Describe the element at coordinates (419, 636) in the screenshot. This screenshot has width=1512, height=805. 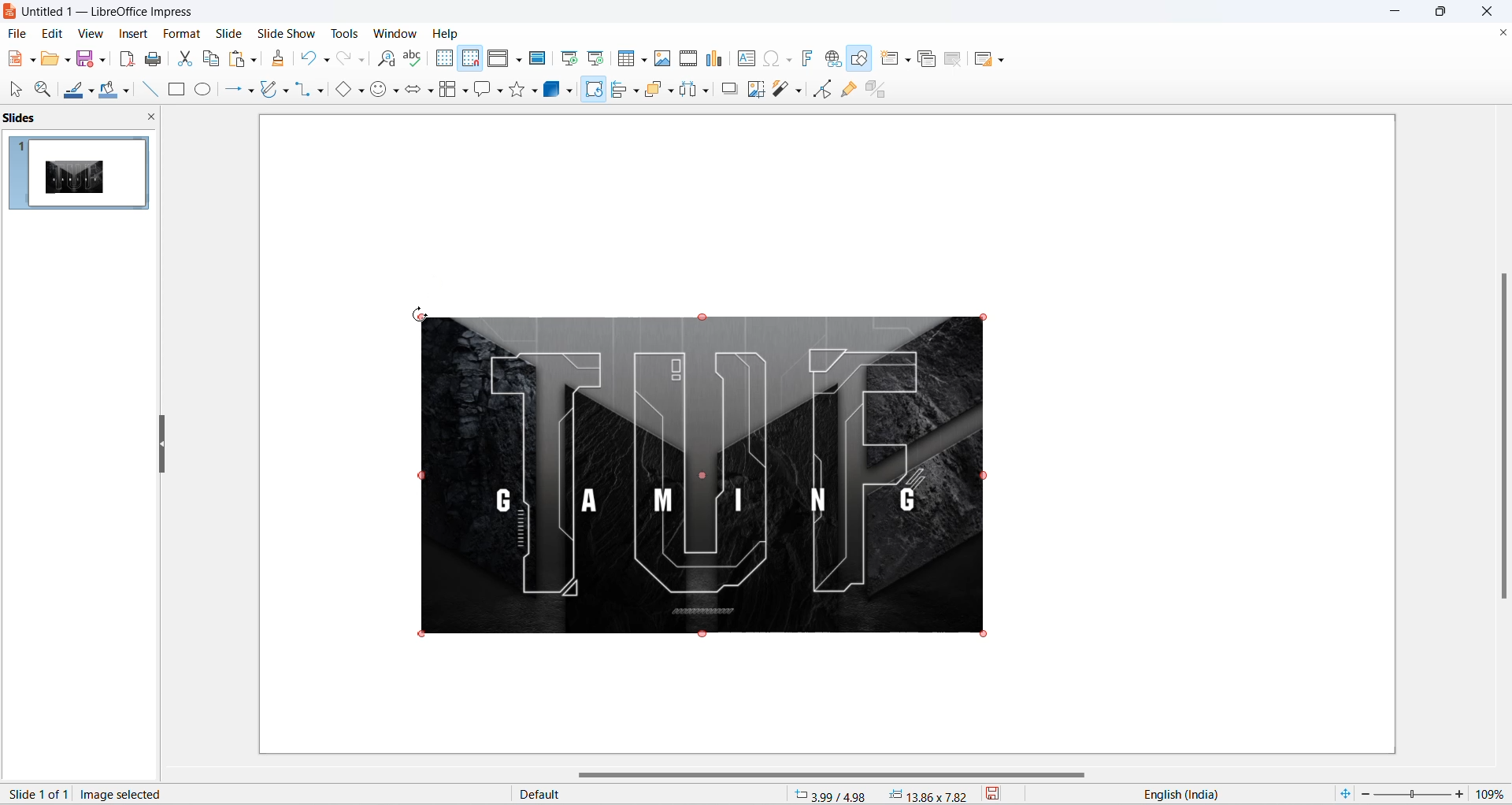
I see `image selection markup` at that location.